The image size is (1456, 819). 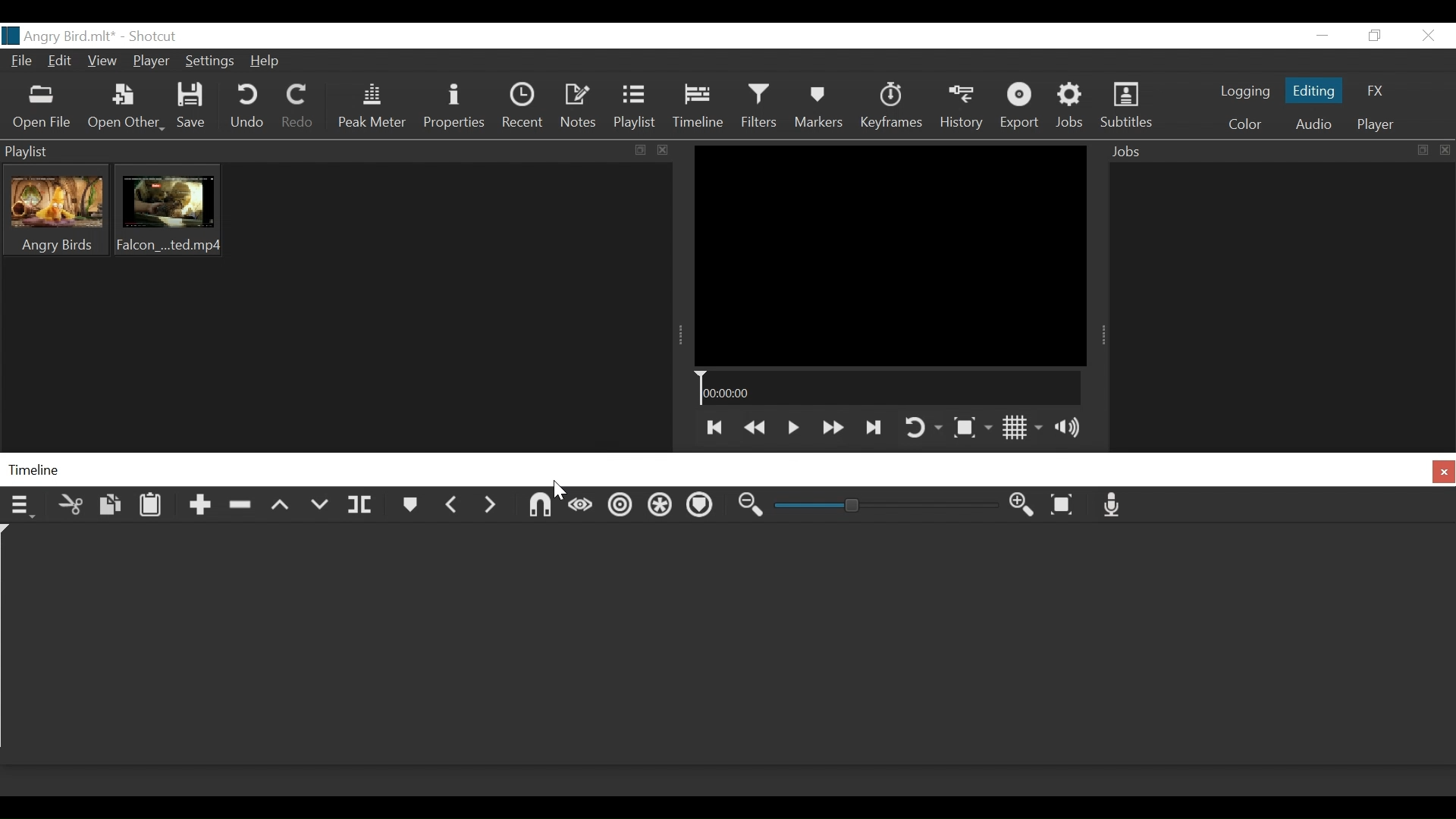 I want to click on Scrub while dragging, so click(x=580, y=507).